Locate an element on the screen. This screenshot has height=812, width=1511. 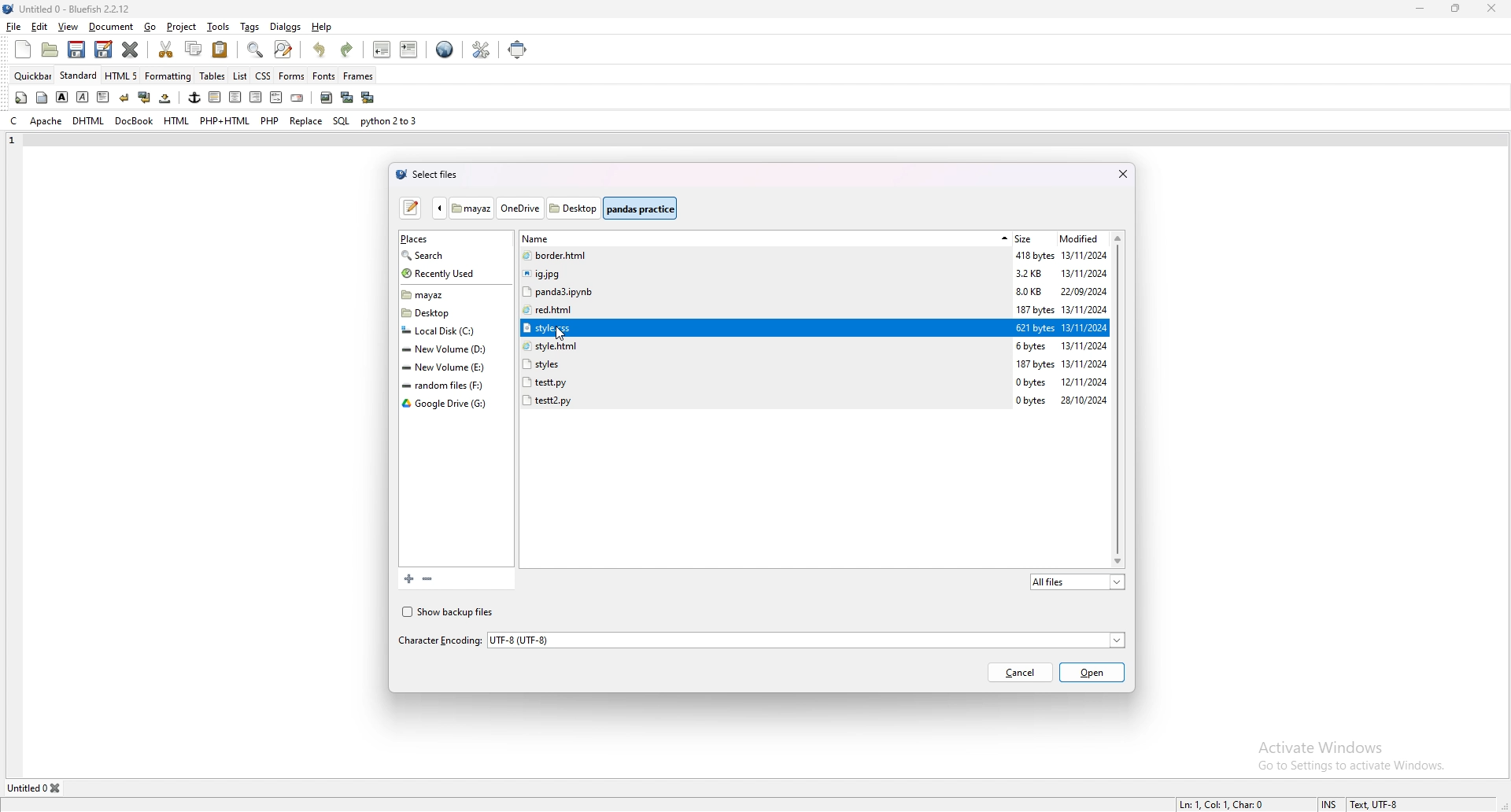
13/11/2024 is located at coordinates (1085, 310).